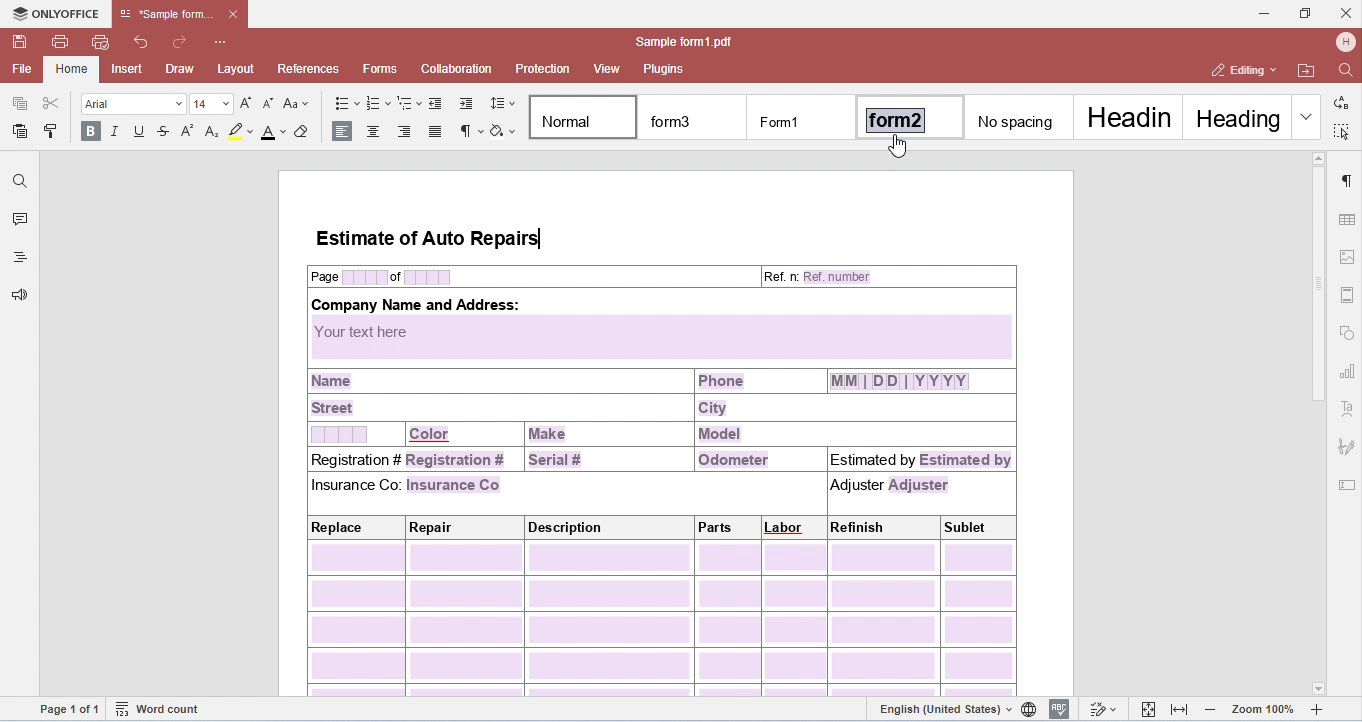 This screenshot has width=1362, height=722. Describe the element at coordinates (1241, 71) in the screenshot. I see `editing` at that location.